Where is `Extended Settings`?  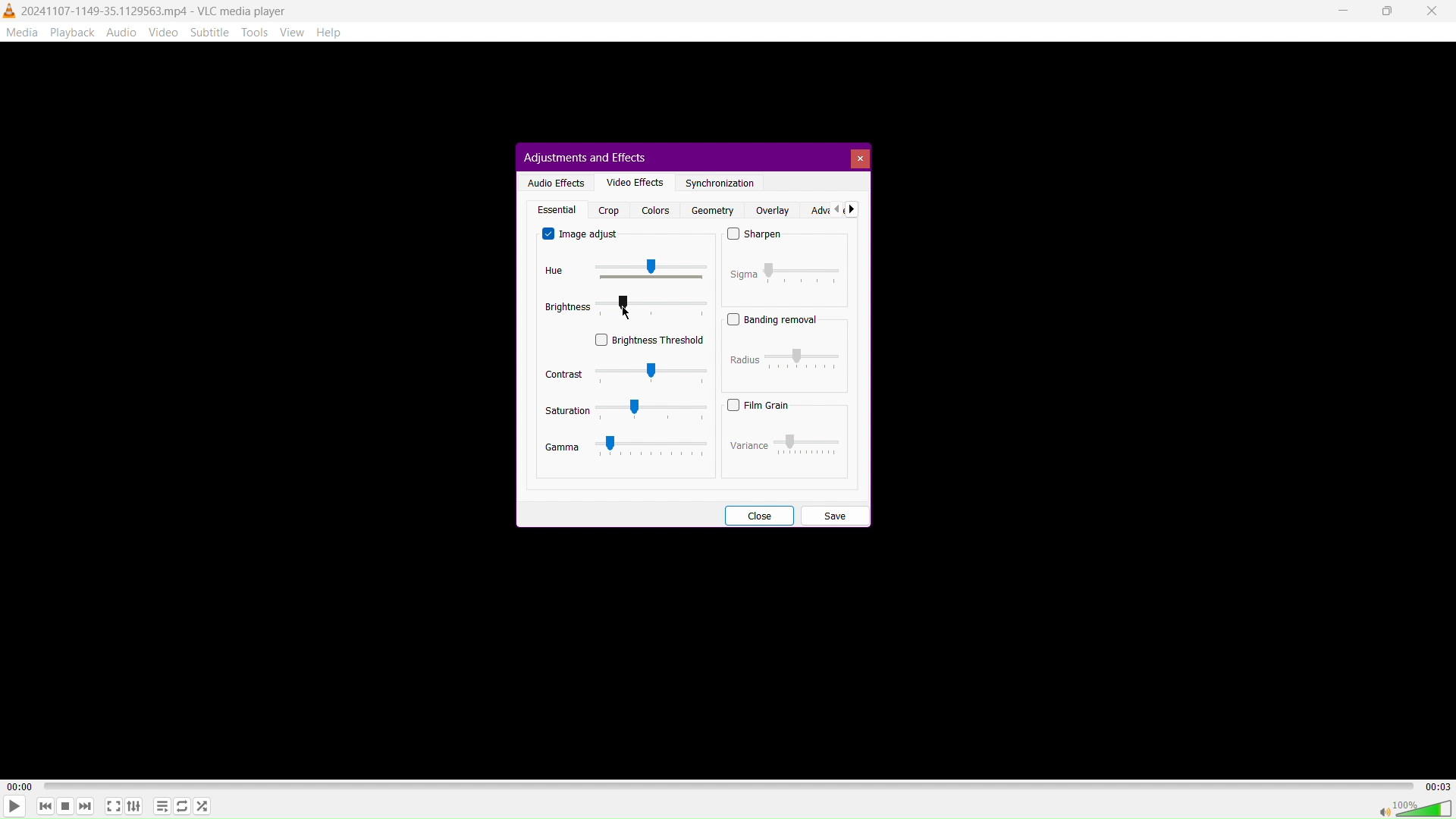
Extended Settings is located at coordinates (135, 807).